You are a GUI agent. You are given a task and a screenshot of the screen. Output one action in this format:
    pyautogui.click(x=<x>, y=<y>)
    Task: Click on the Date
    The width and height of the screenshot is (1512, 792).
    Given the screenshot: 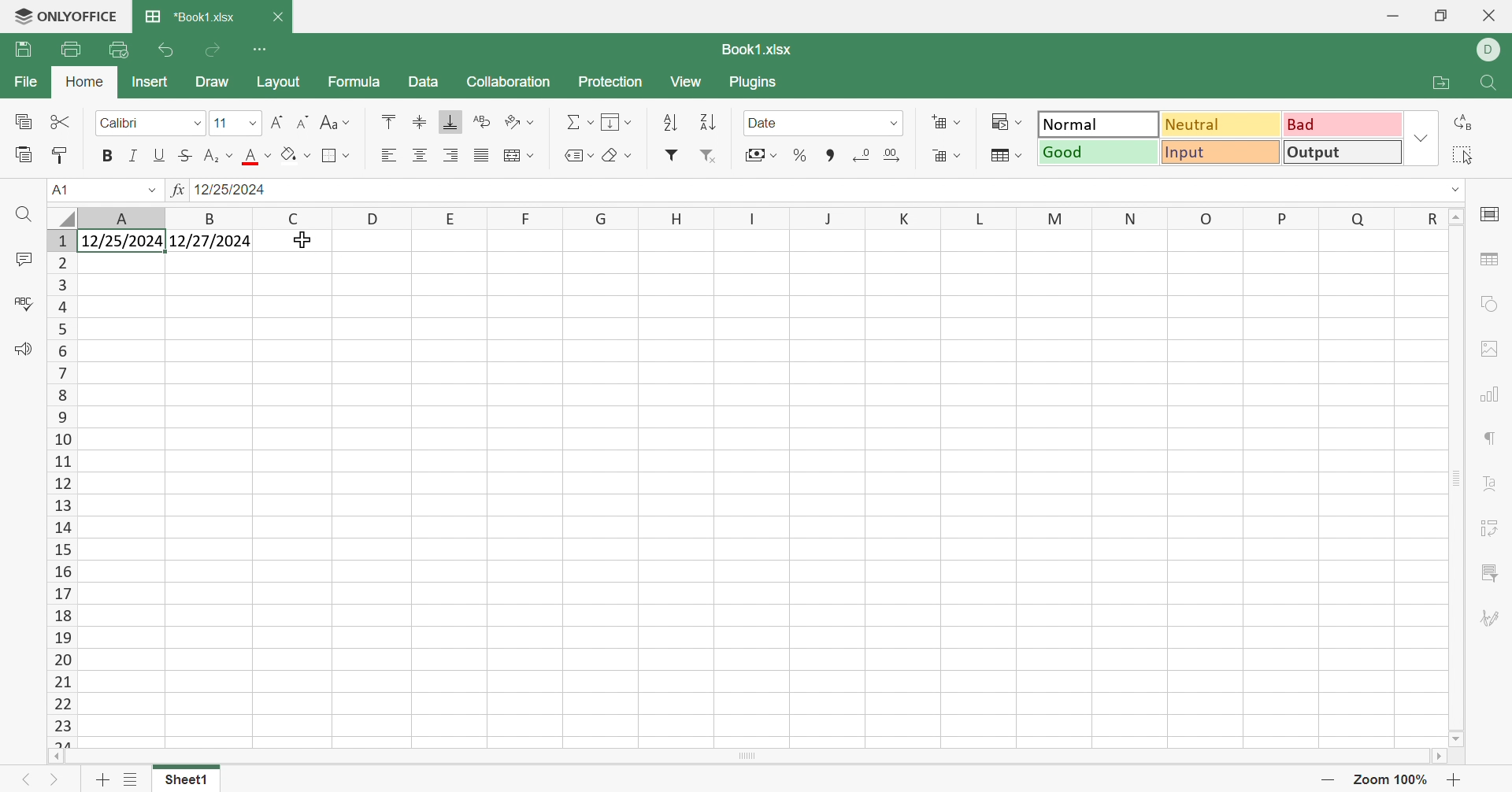 What is the action you would take?
    pyautogui.click(x=768, y=122)
    